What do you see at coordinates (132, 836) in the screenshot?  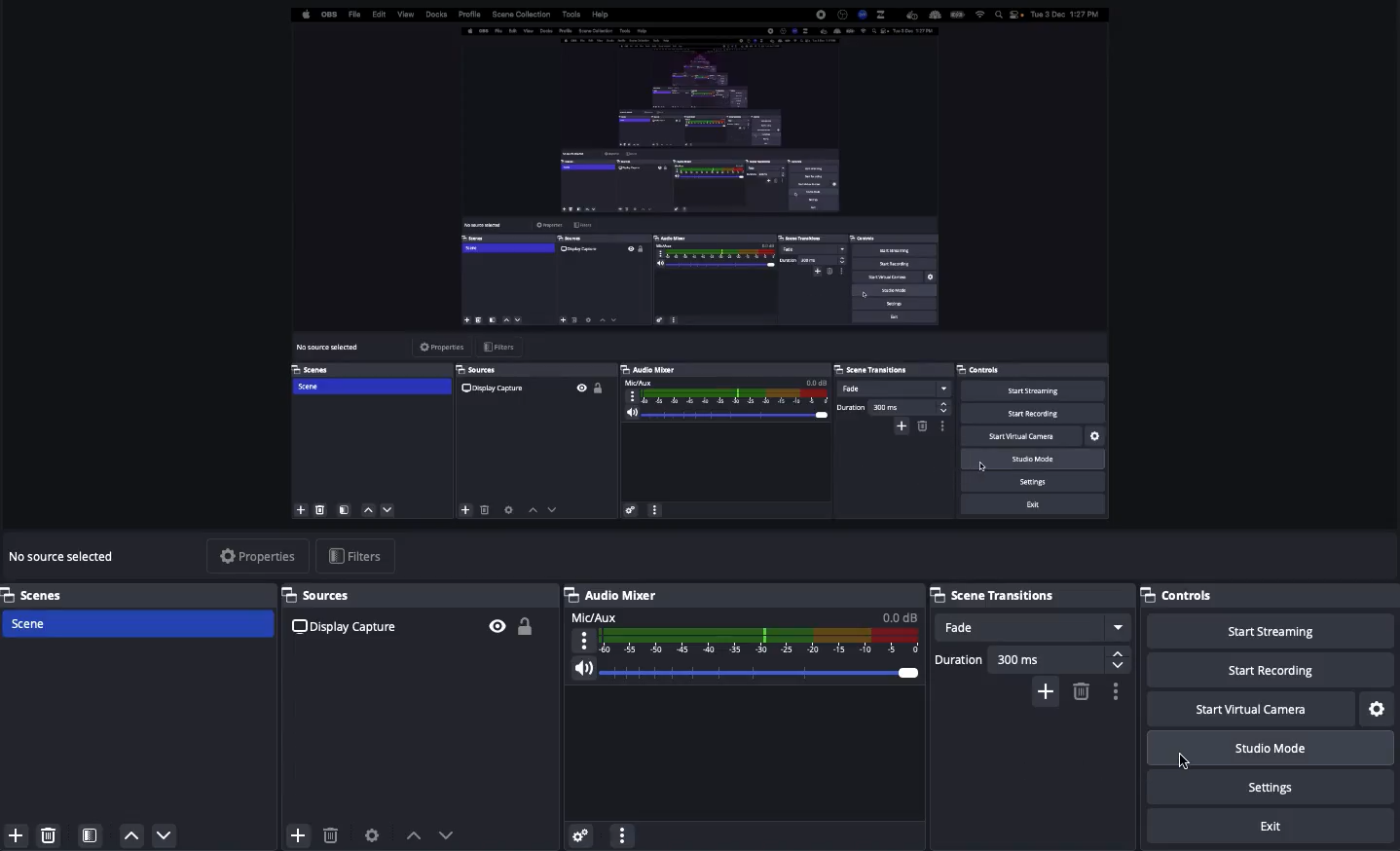 I see `move up` at bounding box center [132, 836].